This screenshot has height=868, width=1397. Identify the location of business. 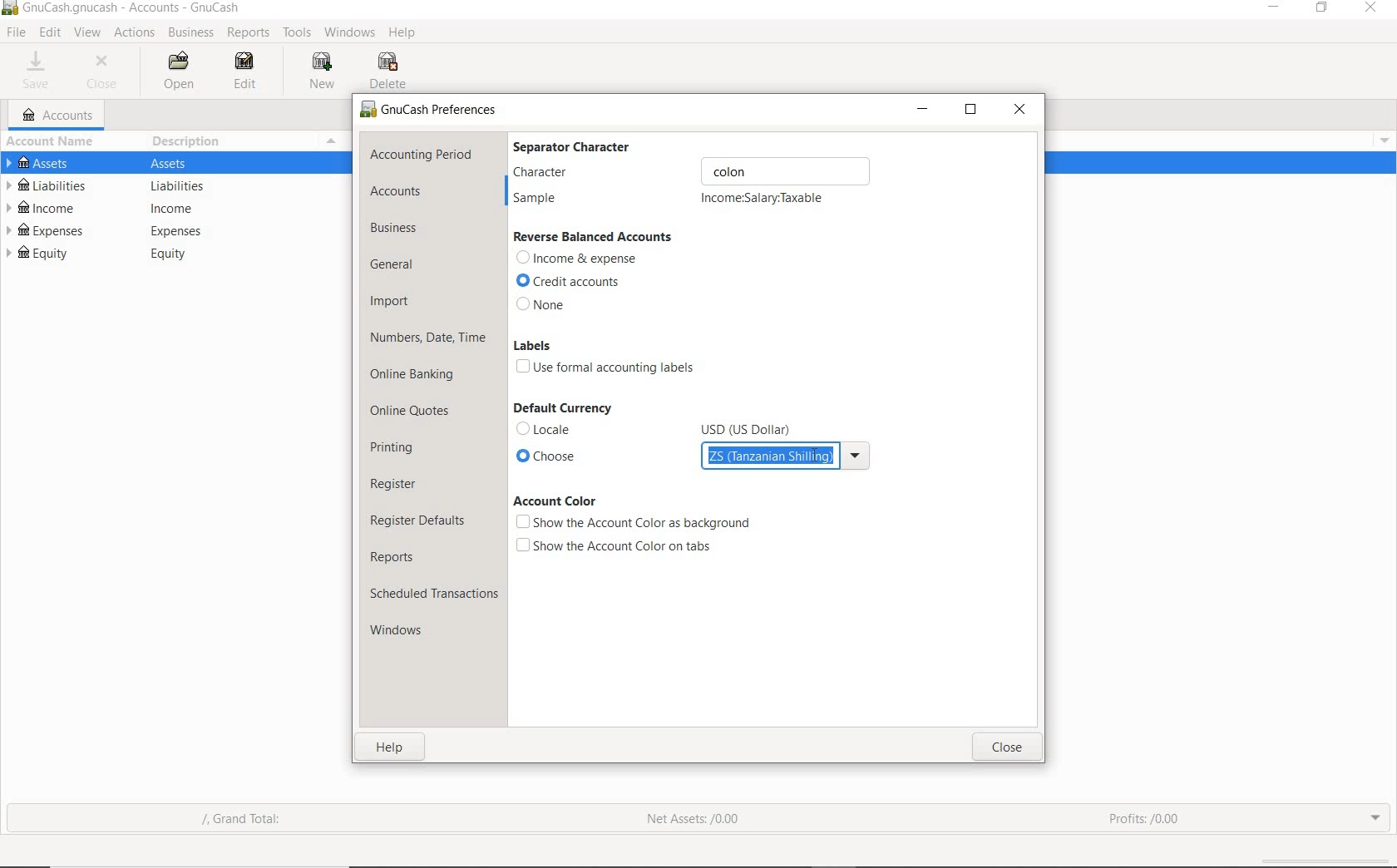
(398, 229).